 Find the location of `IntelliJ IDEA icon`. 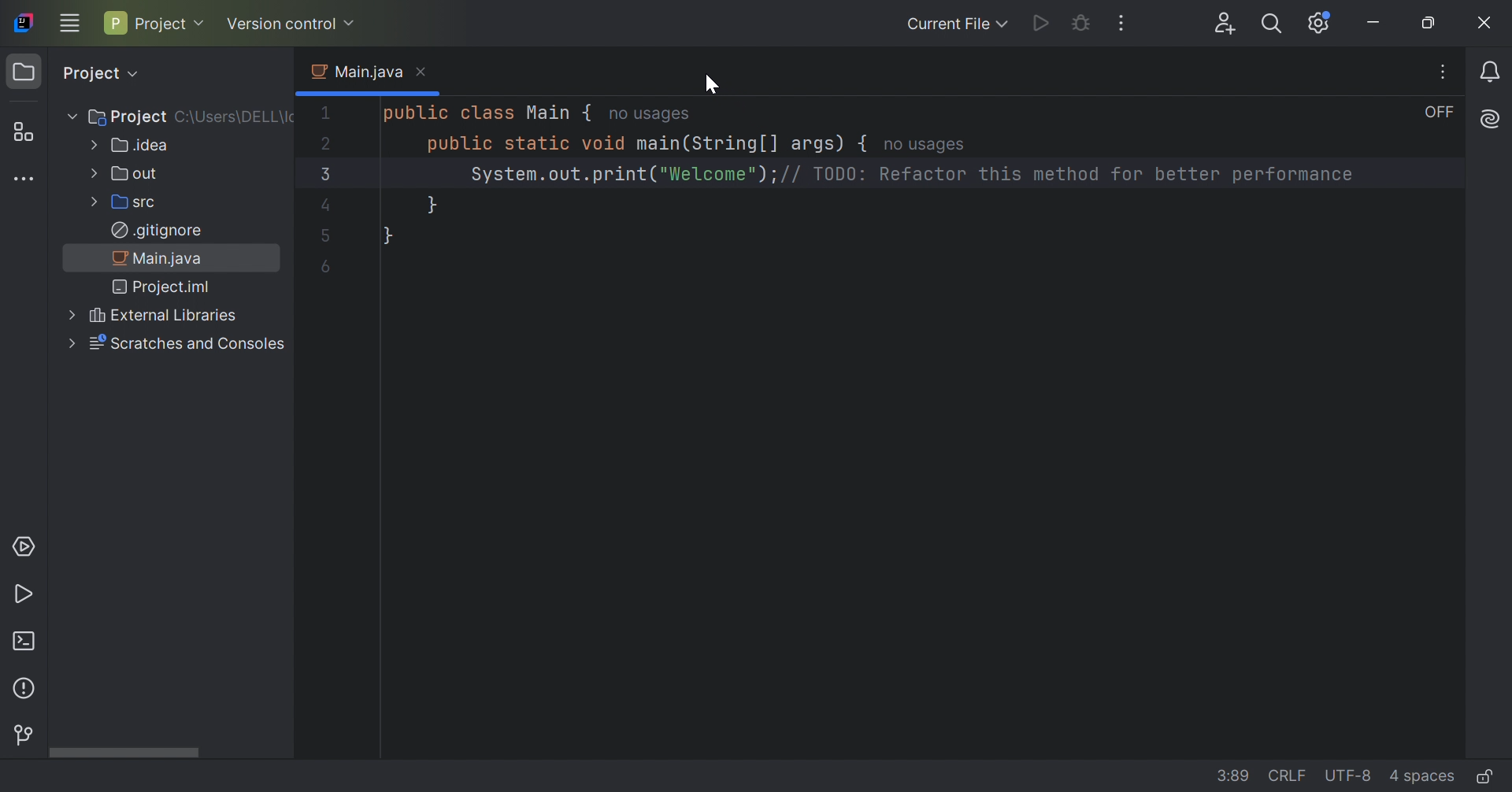

IntelliJ IDEA icon is located at coordinates (21, 24).